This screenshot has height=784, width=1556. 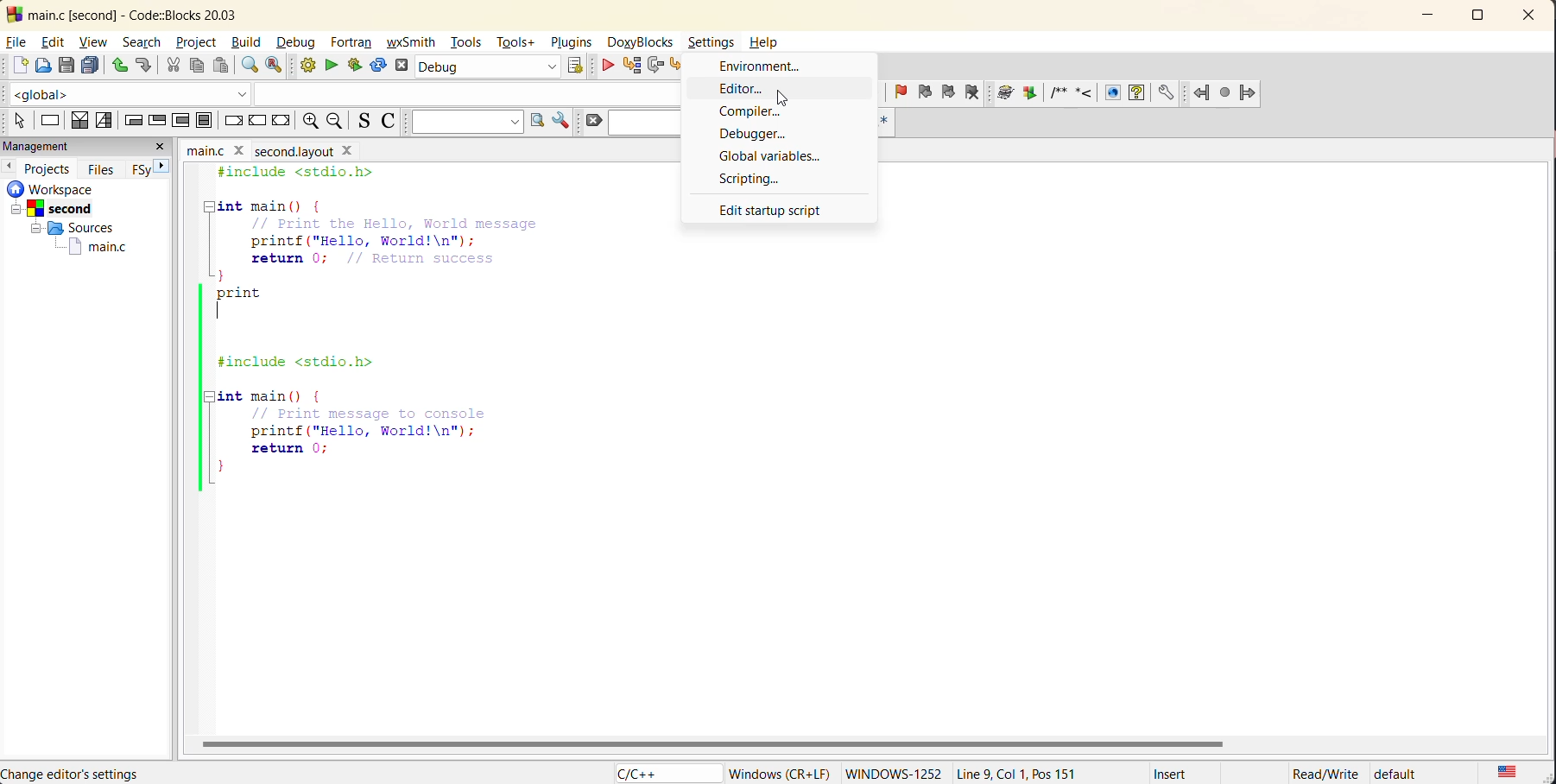 What do you see at coordinates (537, 121) in the screenshot?
I see `run search` at bounding box center [537, 121].